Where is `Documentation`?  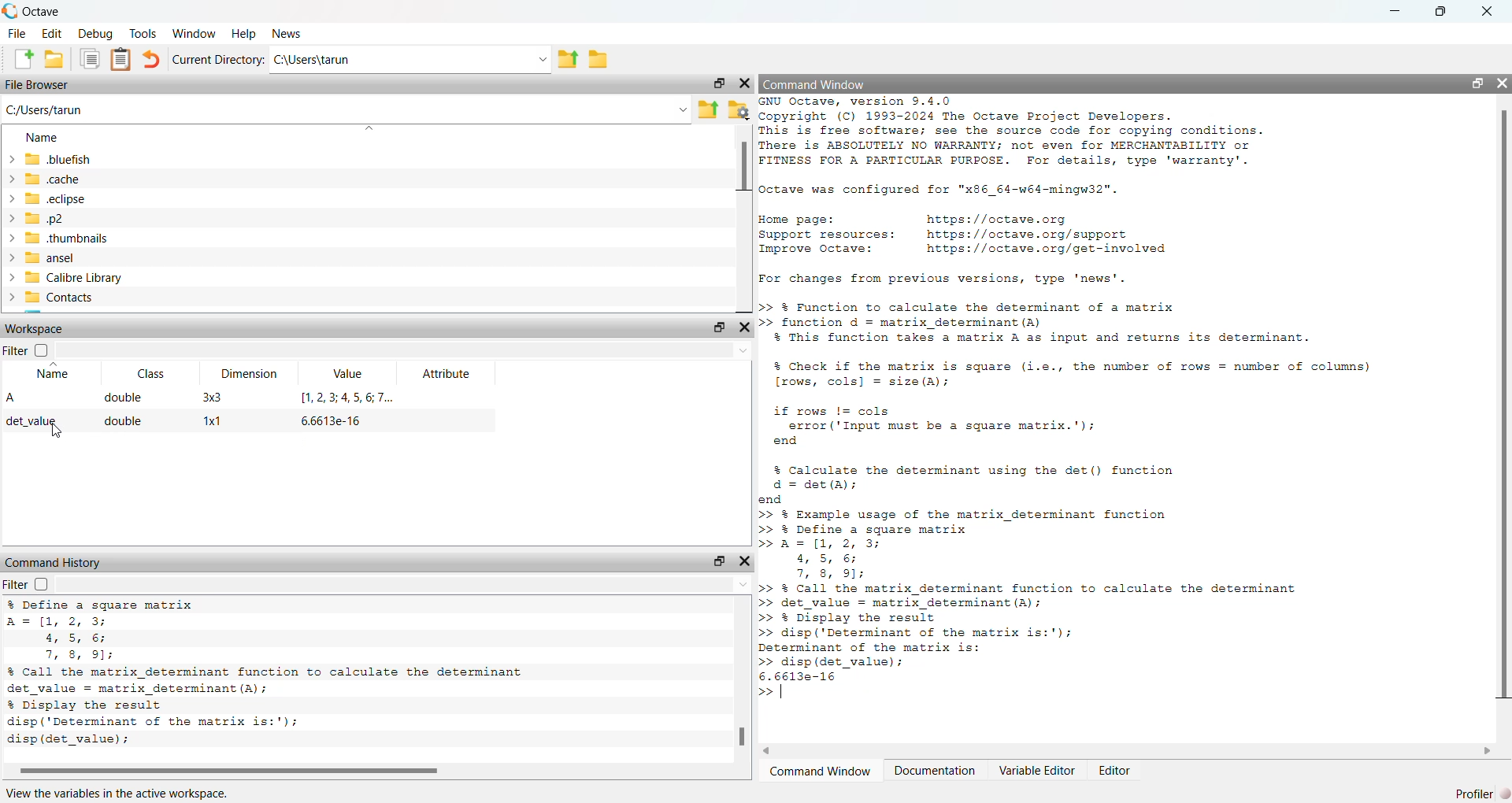 Documentation is located at coordinates (935, 770).